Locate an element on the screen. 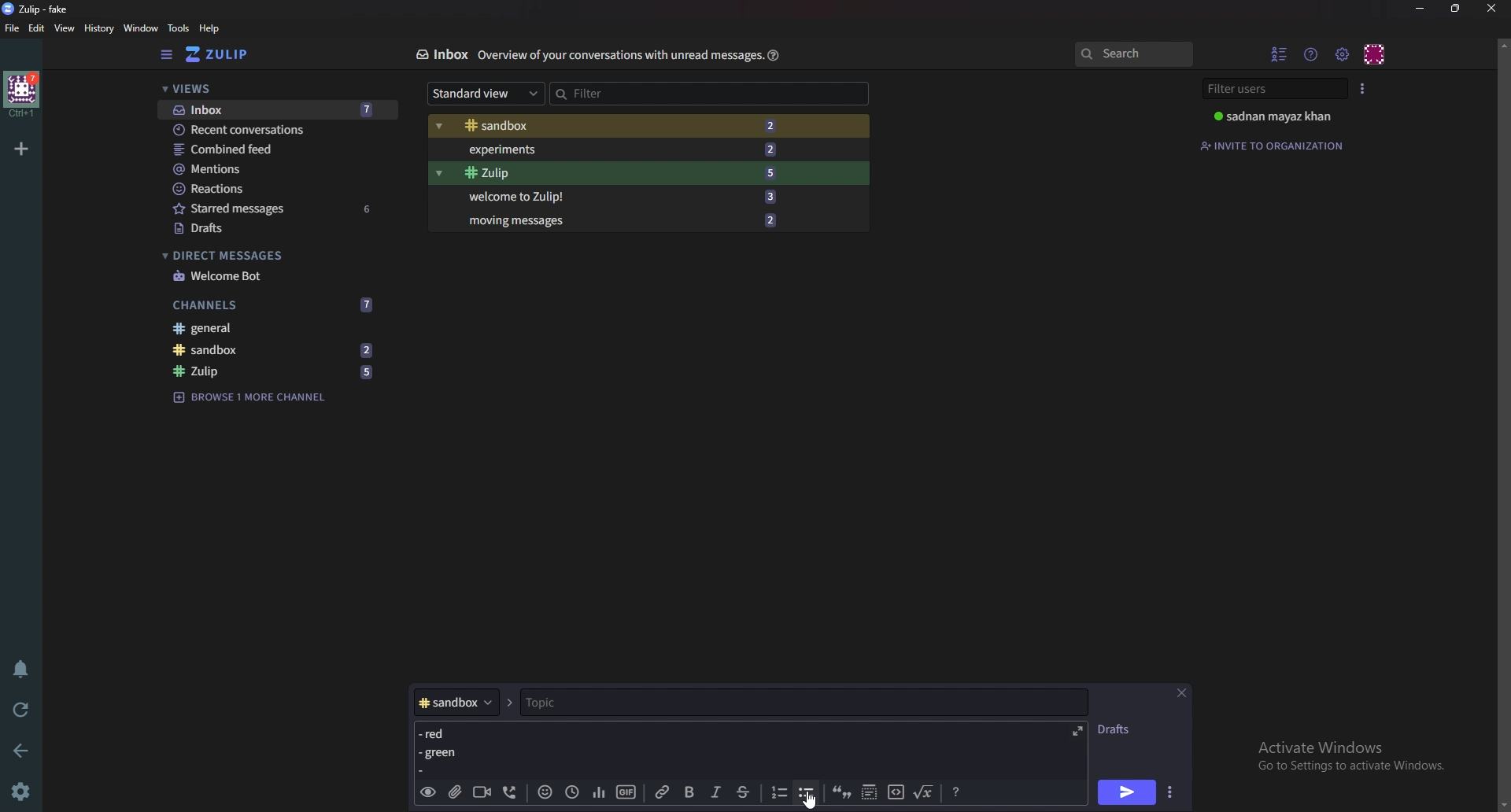  Inbox is located at coordinates (276, 111).